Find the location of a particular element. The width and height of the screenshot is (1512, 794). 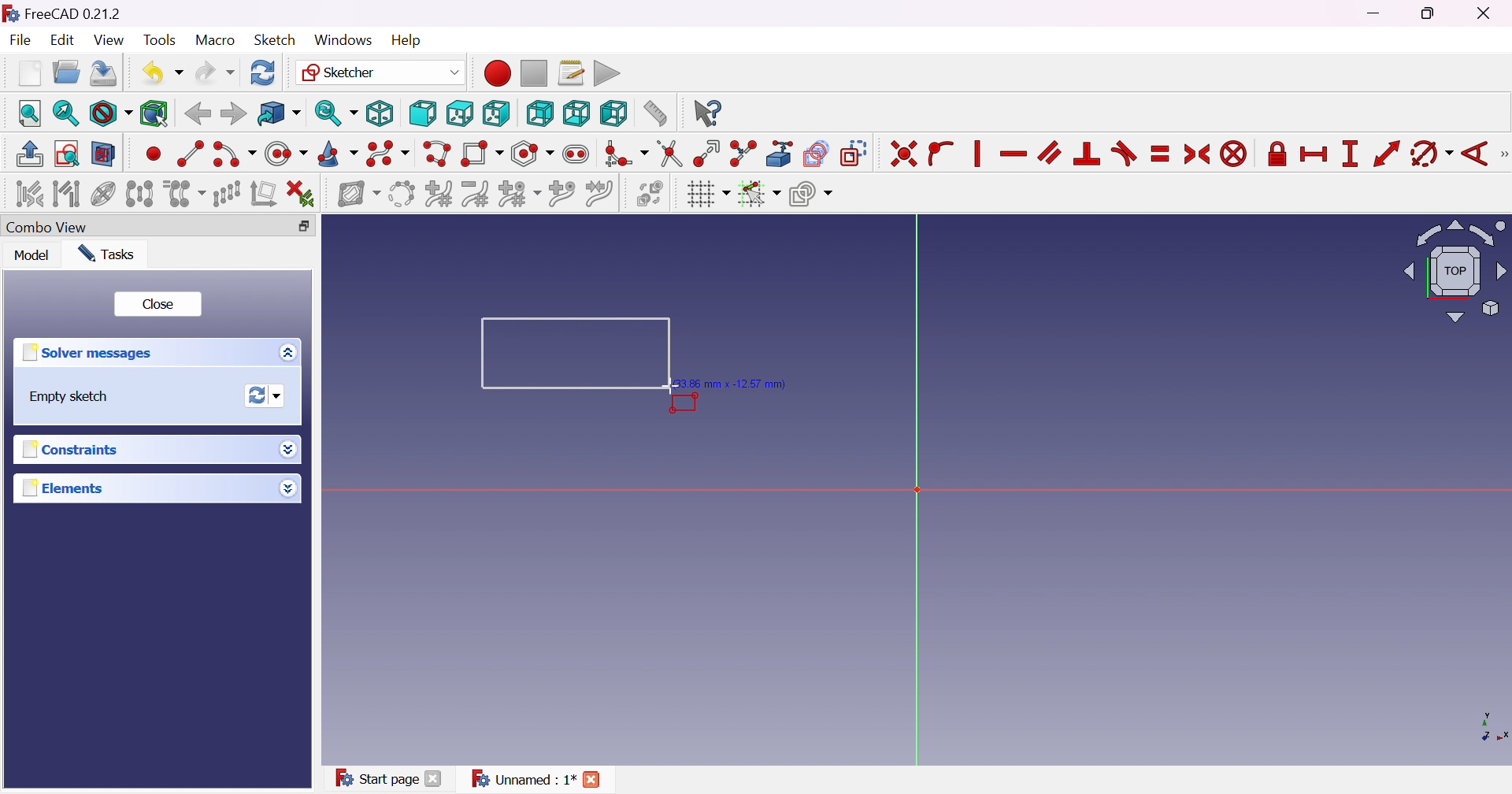

Sketcher is located at coordinates (380, 72).